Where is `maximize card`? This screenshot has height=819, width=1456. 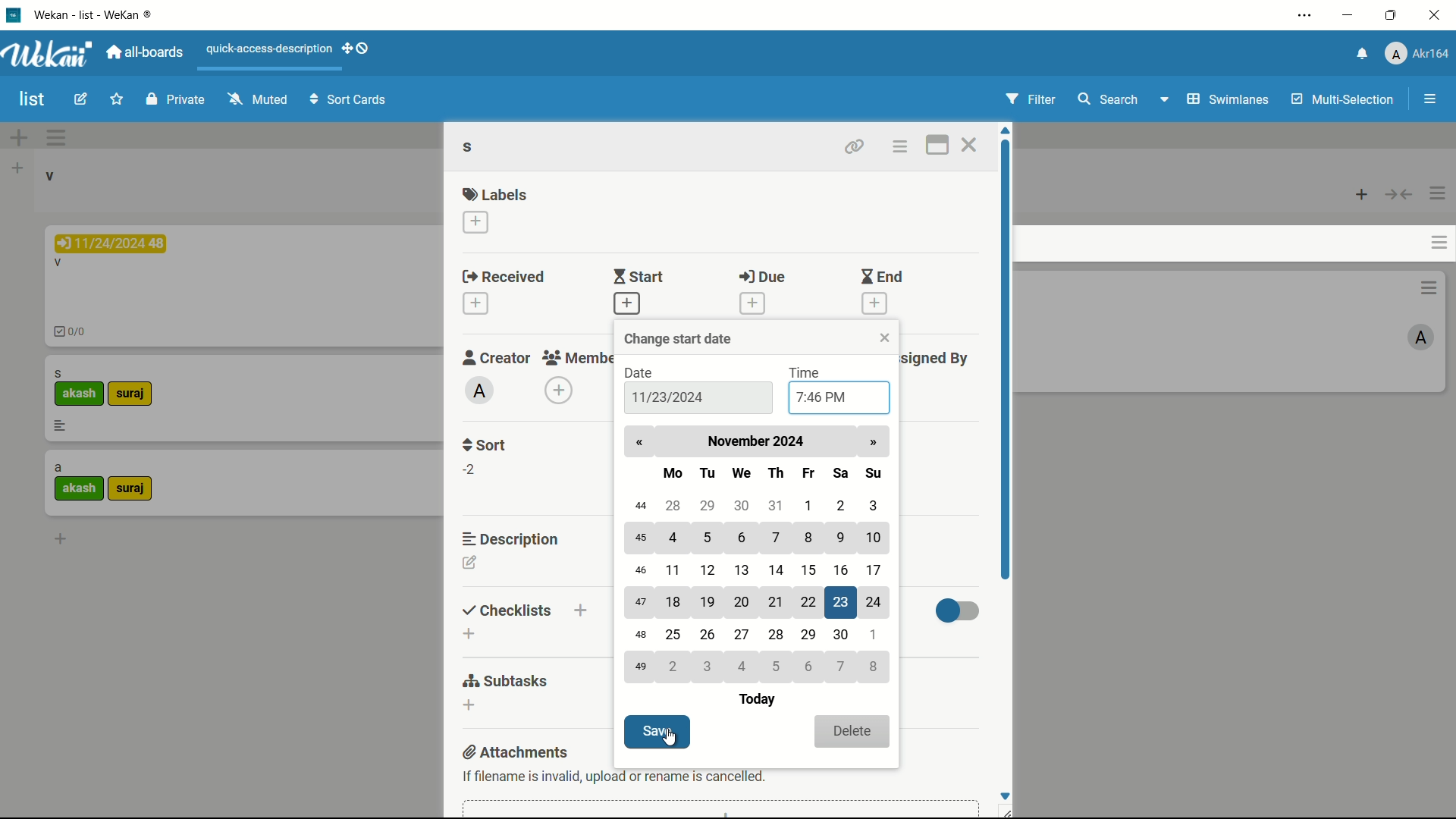
maximize card is located at coordinates (936, 146).